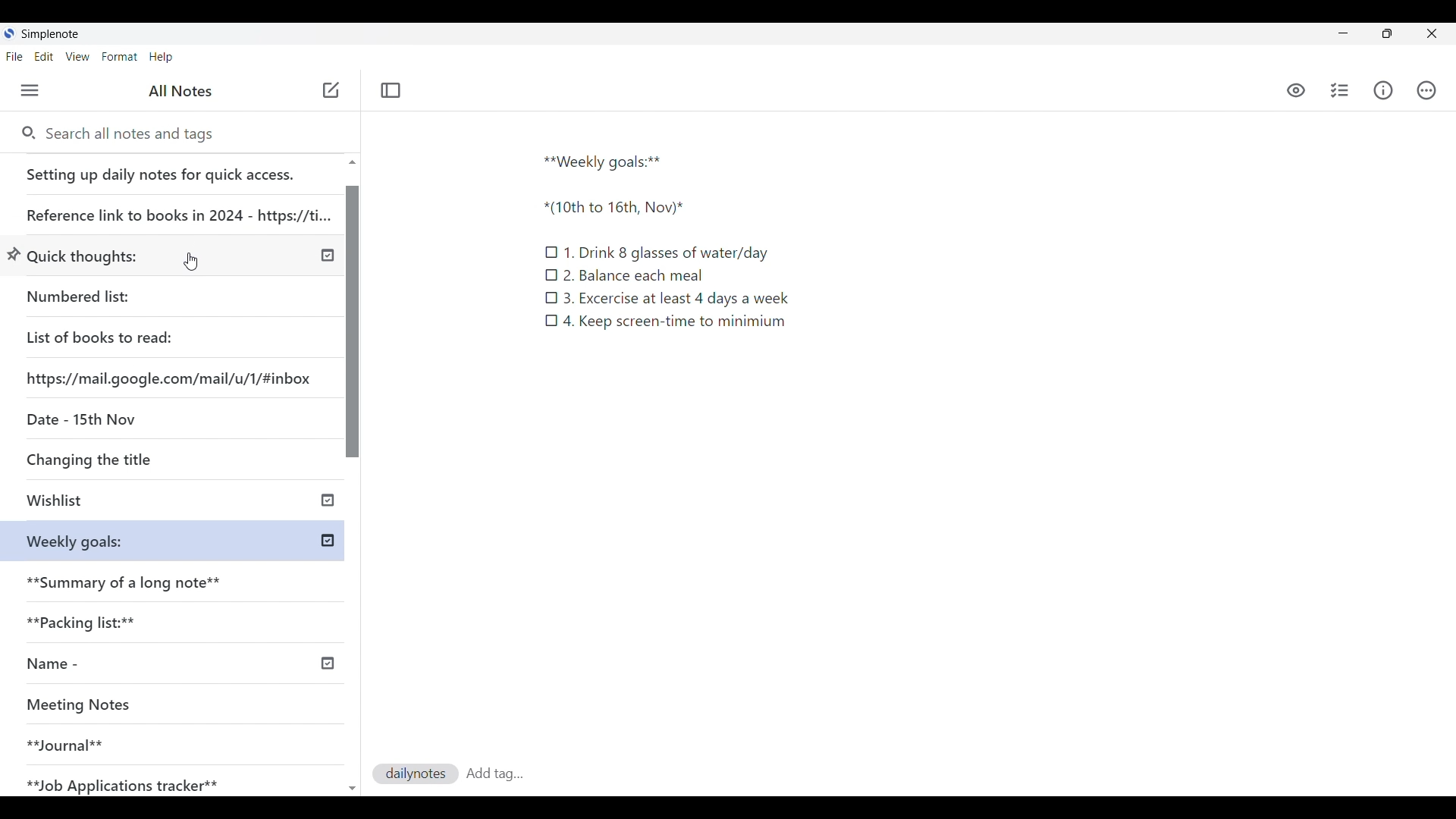  What do you see at coordinates (130, 255) in the screenshot?
I see `Quick thoughts` at bounding box center [130, 255].